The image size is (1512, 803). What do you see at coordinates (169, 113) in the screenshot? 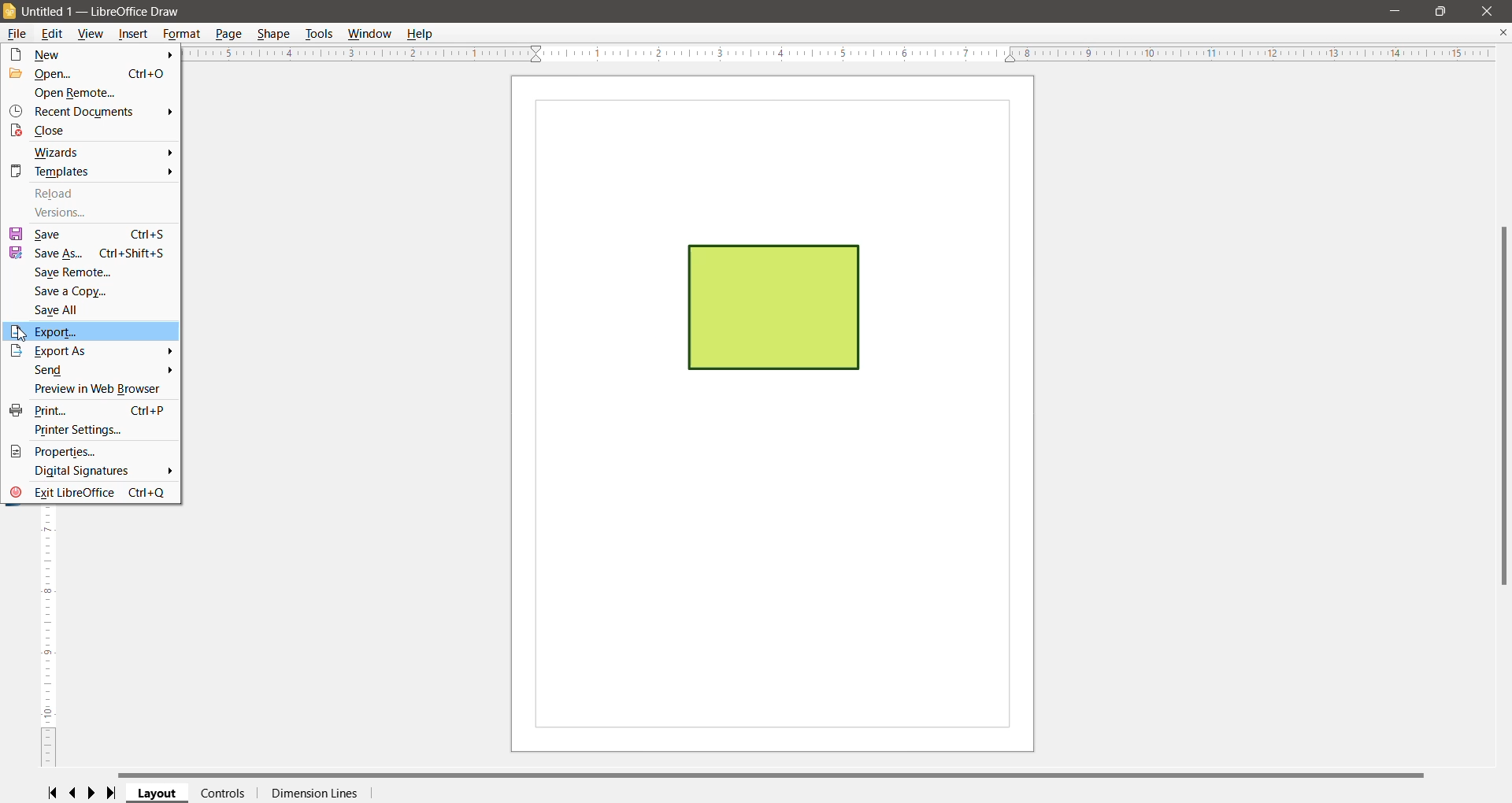
I see `More options` at bounding box center [169, 113].